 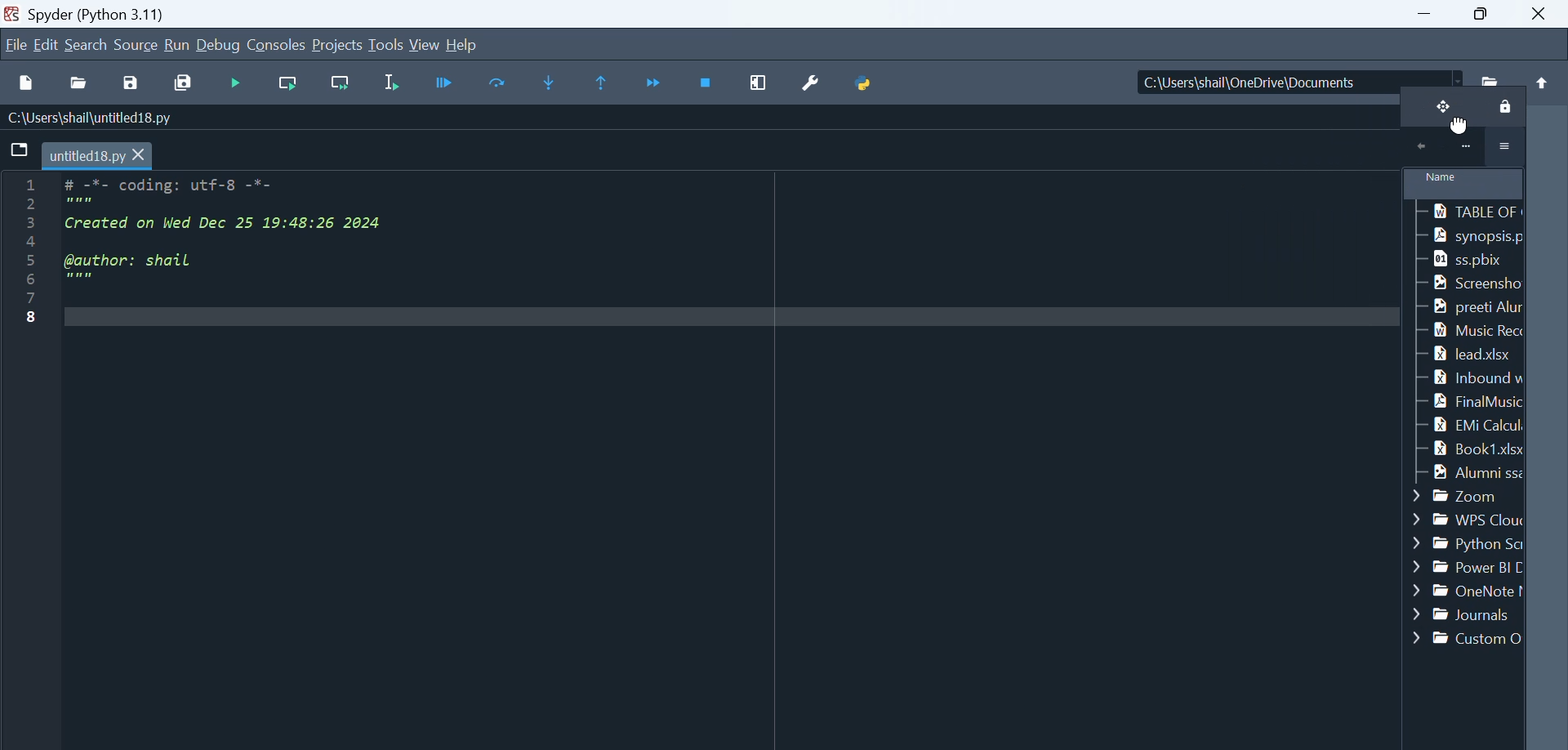 I want to click on cursor, so click(x=1459, y=128).